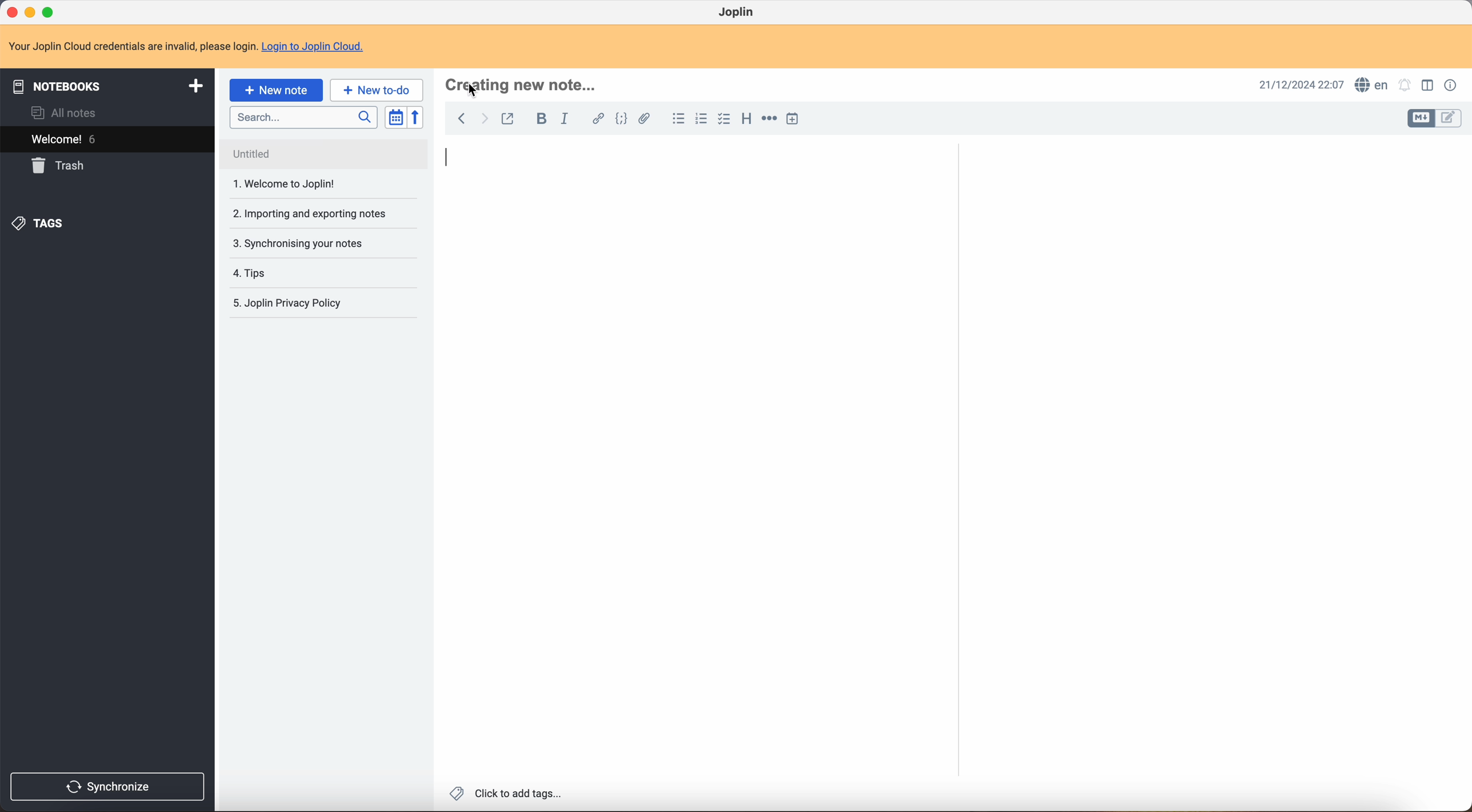 This screenshot has width=1472, height=812. Describe the element at coordinates (1449, 119) in the screenshot. I see `toggle edit layout` at that location.